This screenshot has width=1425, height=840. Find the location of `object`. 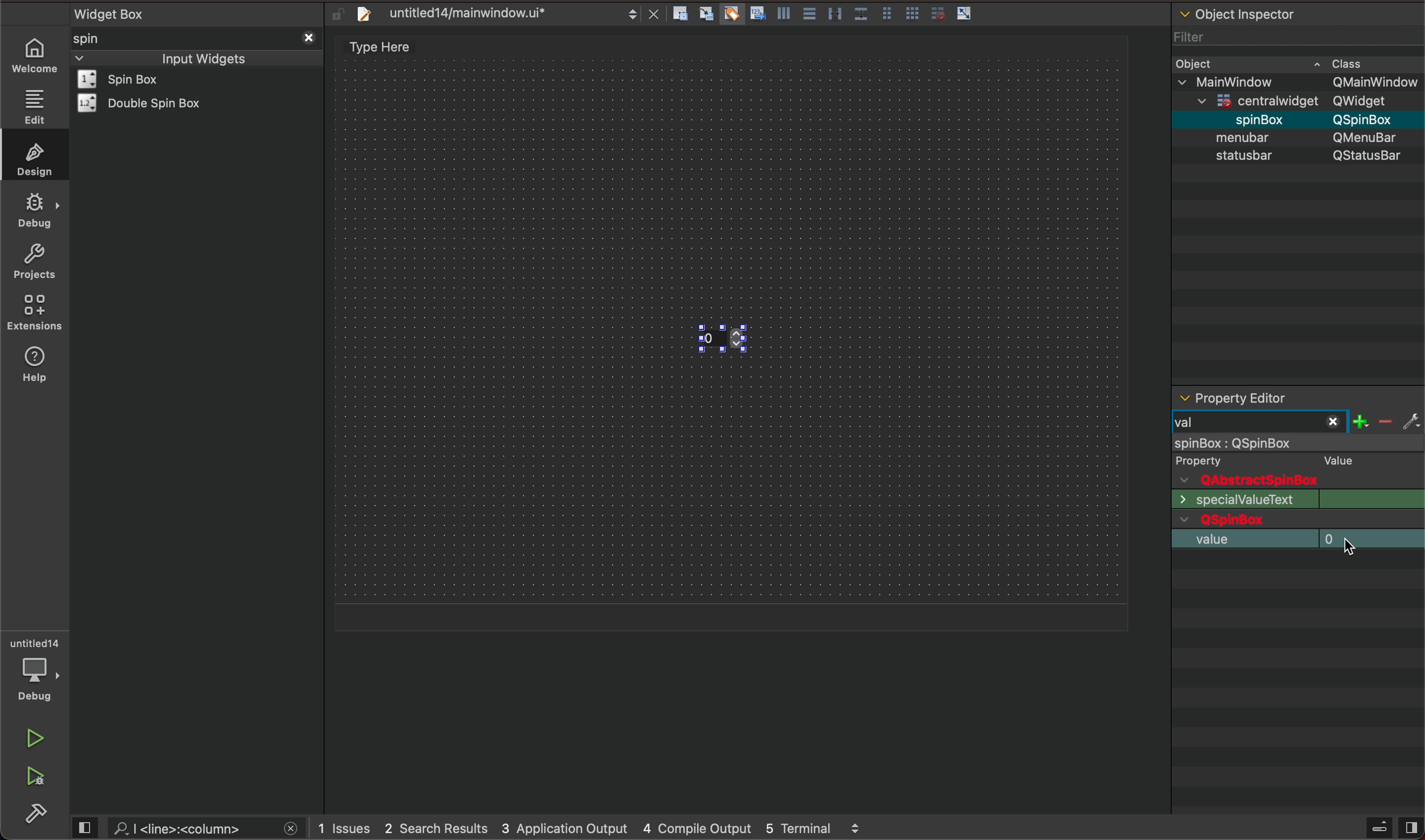

object is located at coordinates (1246, 137).